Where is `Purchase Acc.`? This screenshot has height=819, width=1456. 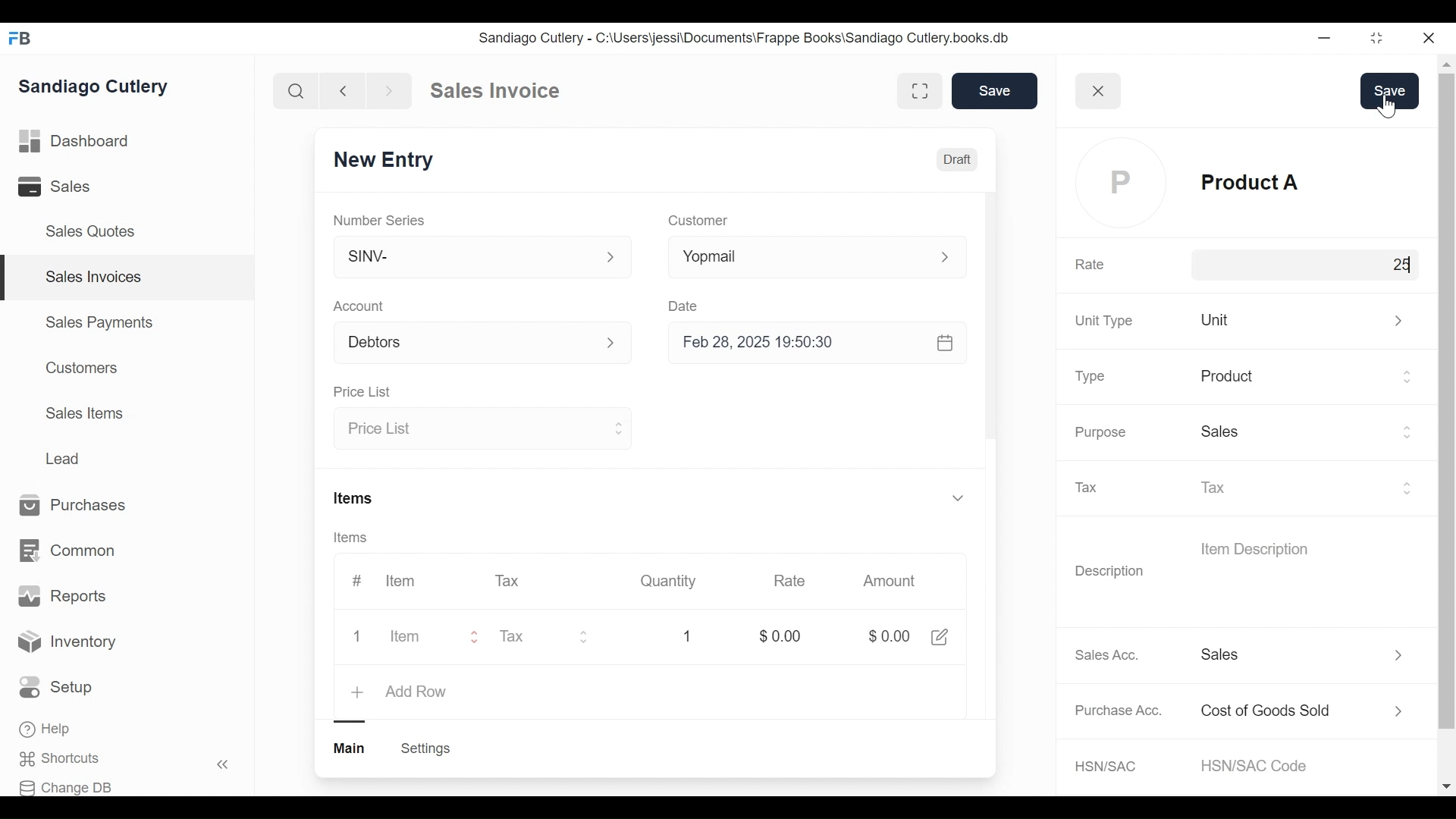
Purchase Acc. is located at coordinates (1119, 710).